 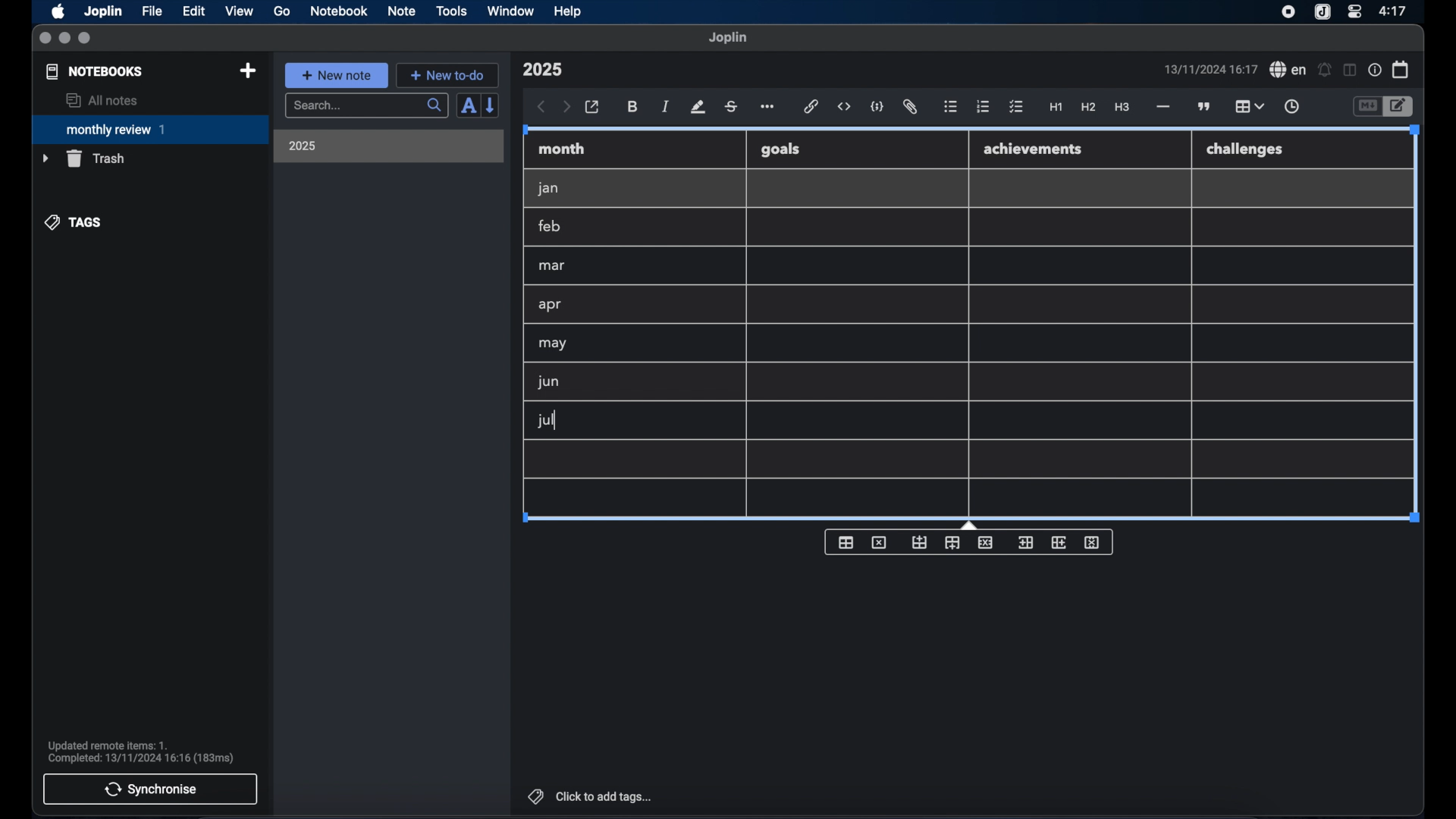 What do you see at coordinates (511, 11) in the screenshot?
I see `window` at bounding box center [511, 11].